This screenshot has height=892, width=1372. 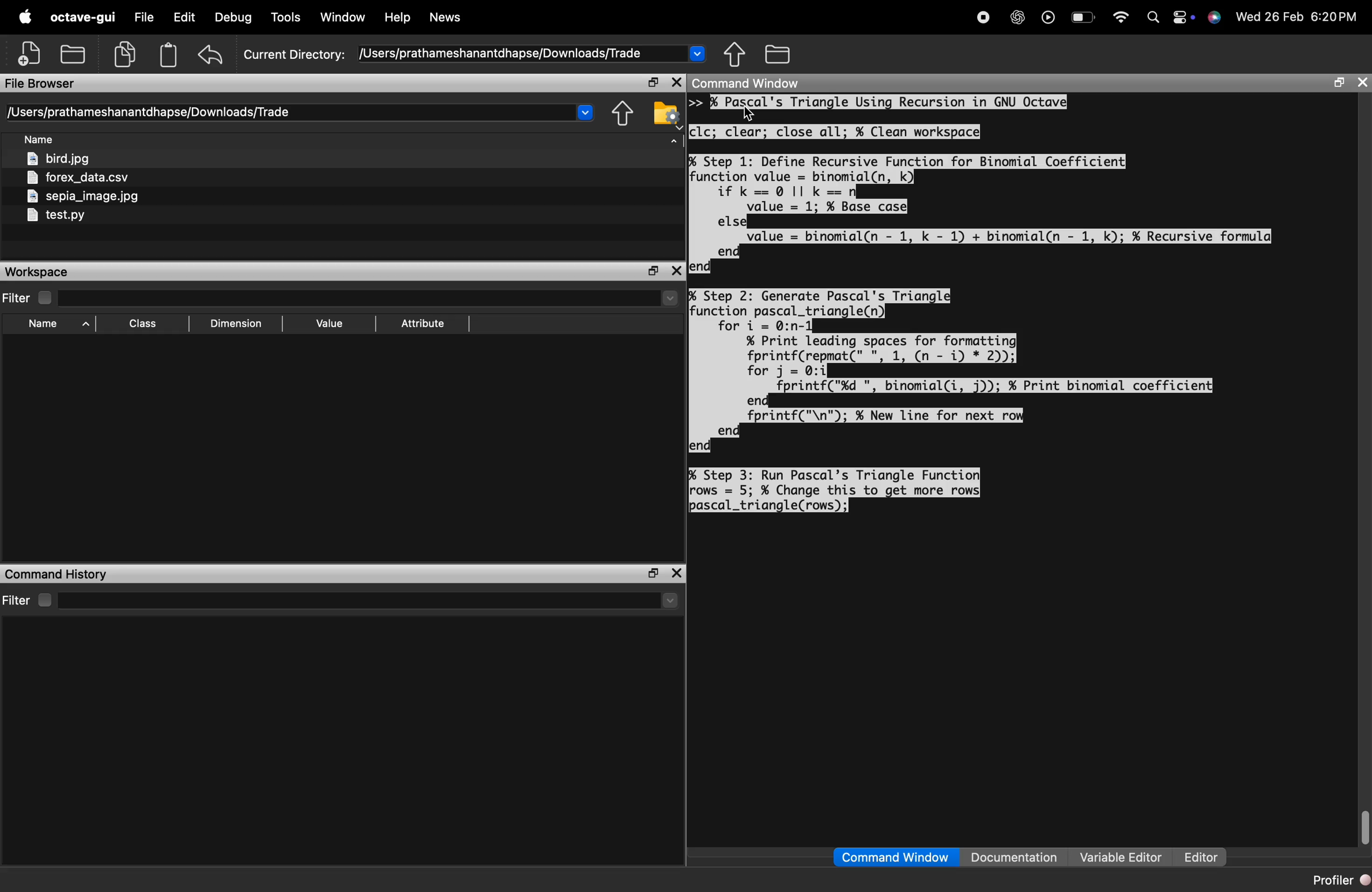 What do you see at coordinates (670, 602) in the screenshot?
I see `Dropdown` at bounding box center [670, 602].